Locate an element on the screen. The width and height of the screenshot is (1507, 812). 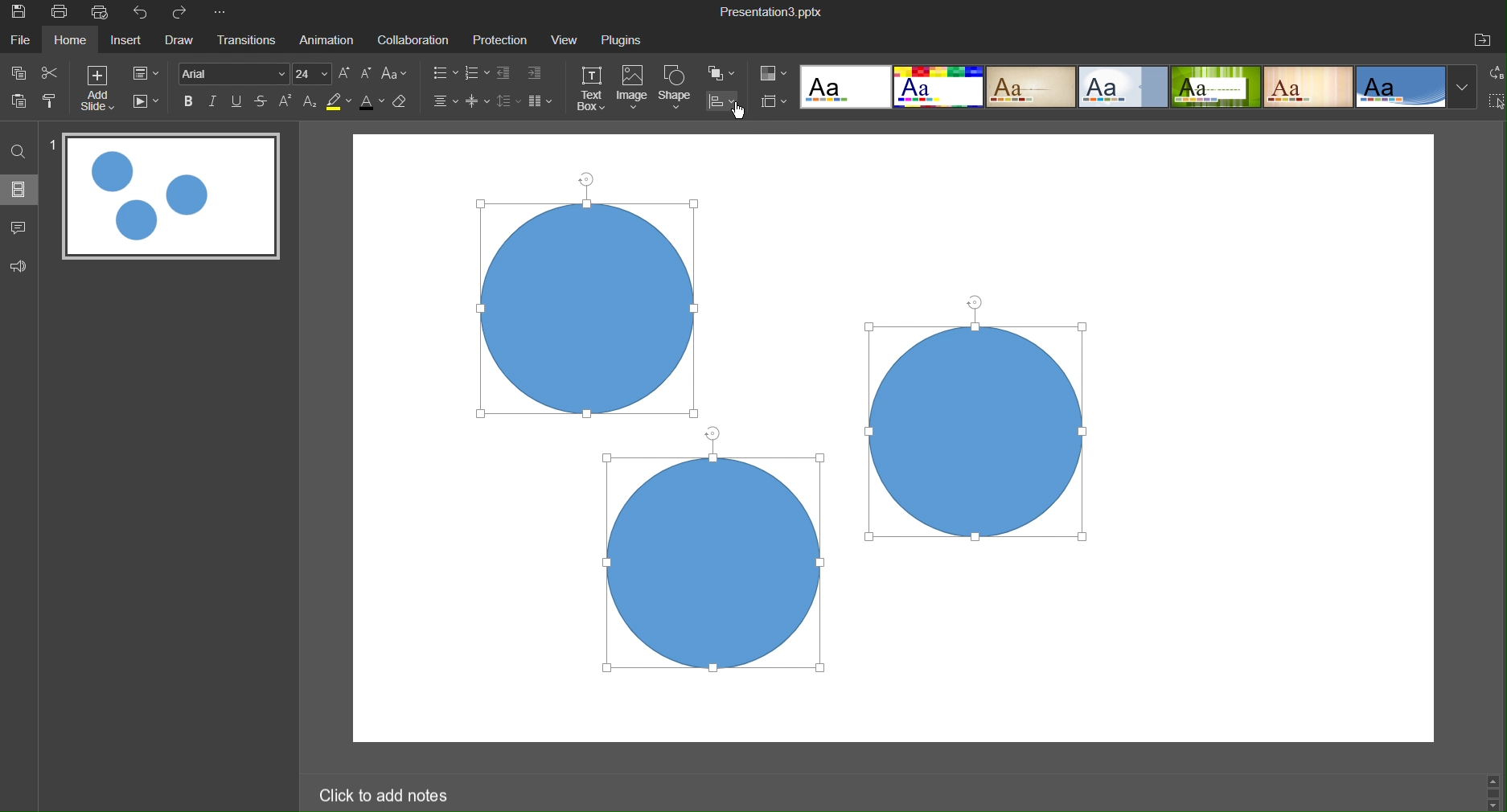
Underline is located at coordinates (240, 101).